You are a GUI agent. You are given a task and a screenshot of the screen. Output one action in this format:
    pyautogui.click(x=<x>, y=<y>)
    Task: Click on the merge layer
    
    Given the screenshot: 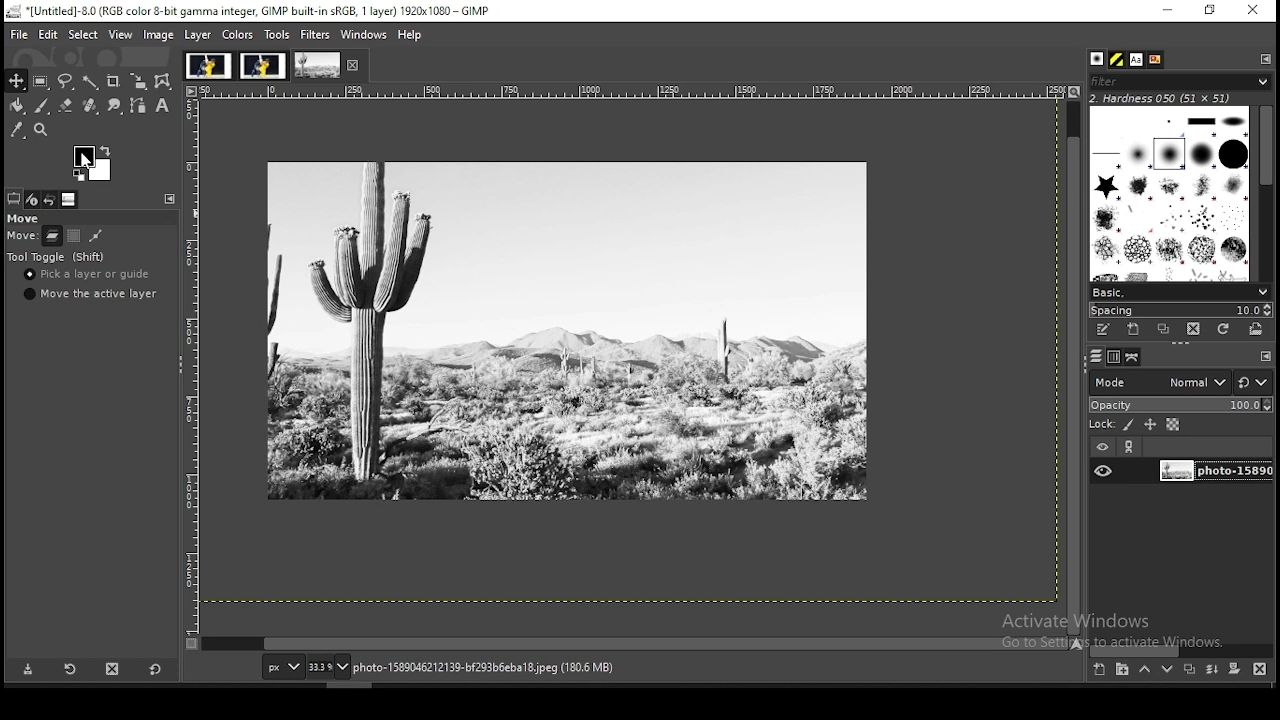 What is the action you would take?
    pyautogui.click(x=1214, y=669)
    